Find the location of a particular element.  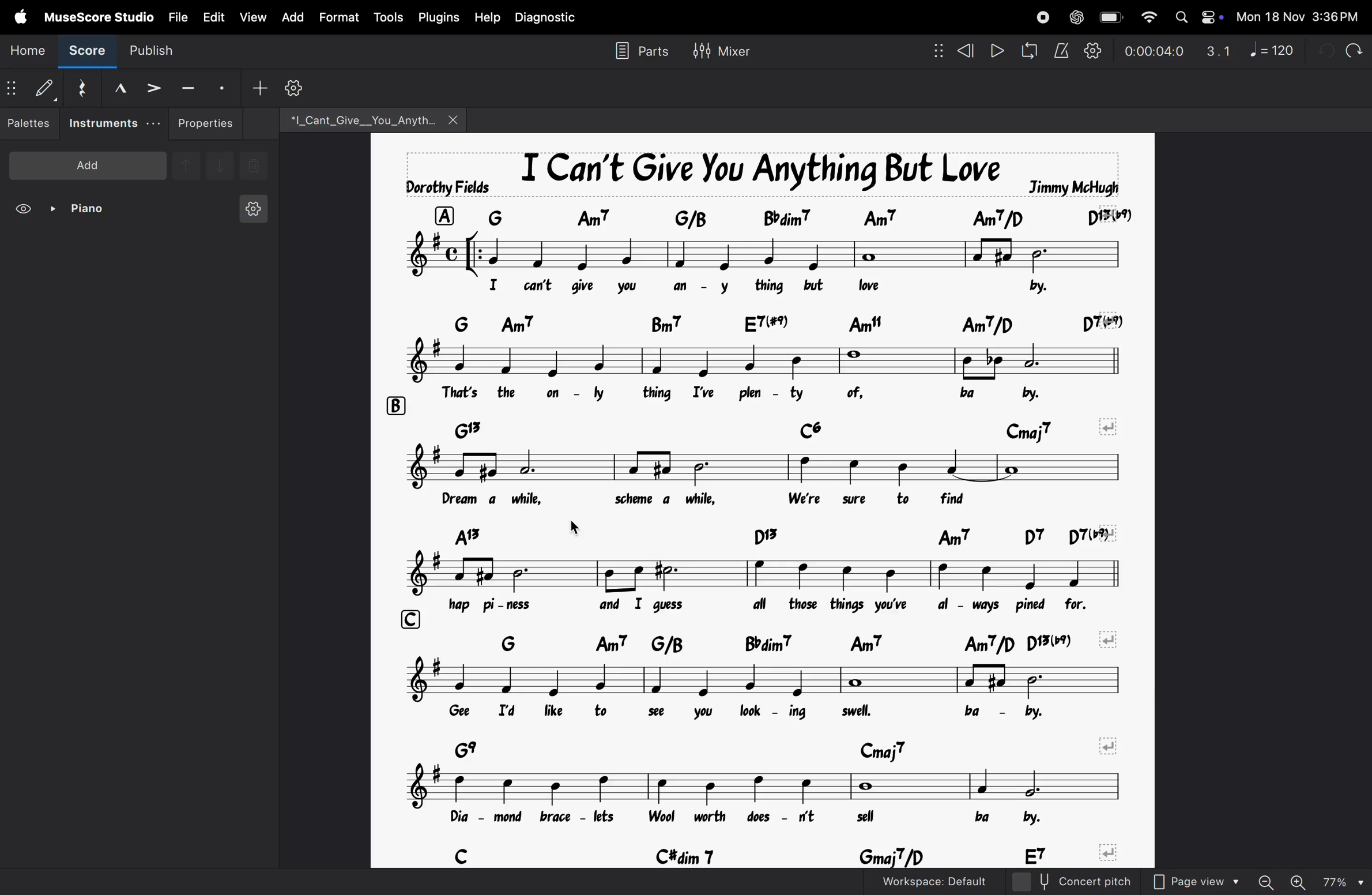

note 120 is located at coordinates (1269, 48).